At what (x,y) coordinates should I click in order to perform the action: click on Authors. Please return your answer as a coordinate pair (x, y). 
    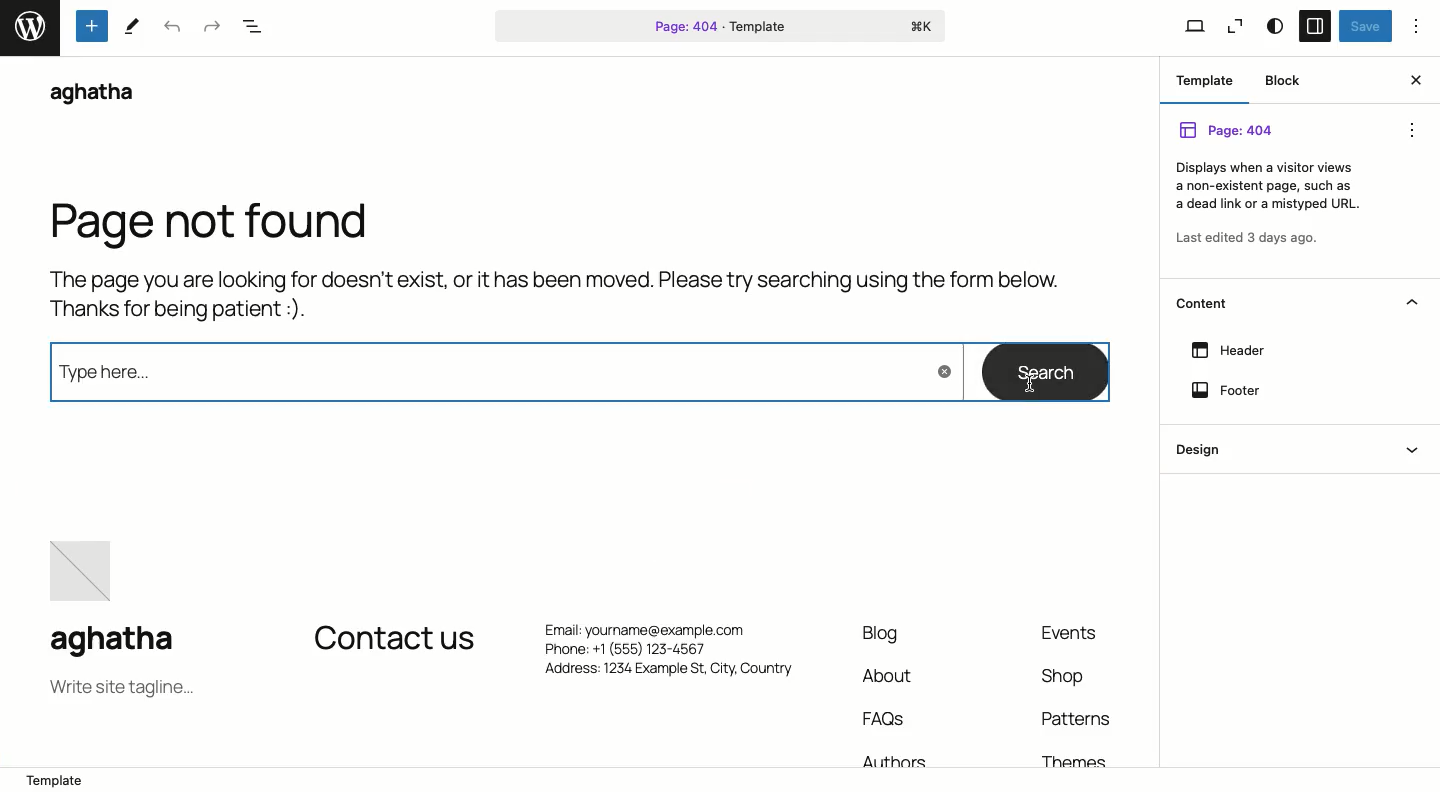
    Looking at the image, I should click on (889, 758).